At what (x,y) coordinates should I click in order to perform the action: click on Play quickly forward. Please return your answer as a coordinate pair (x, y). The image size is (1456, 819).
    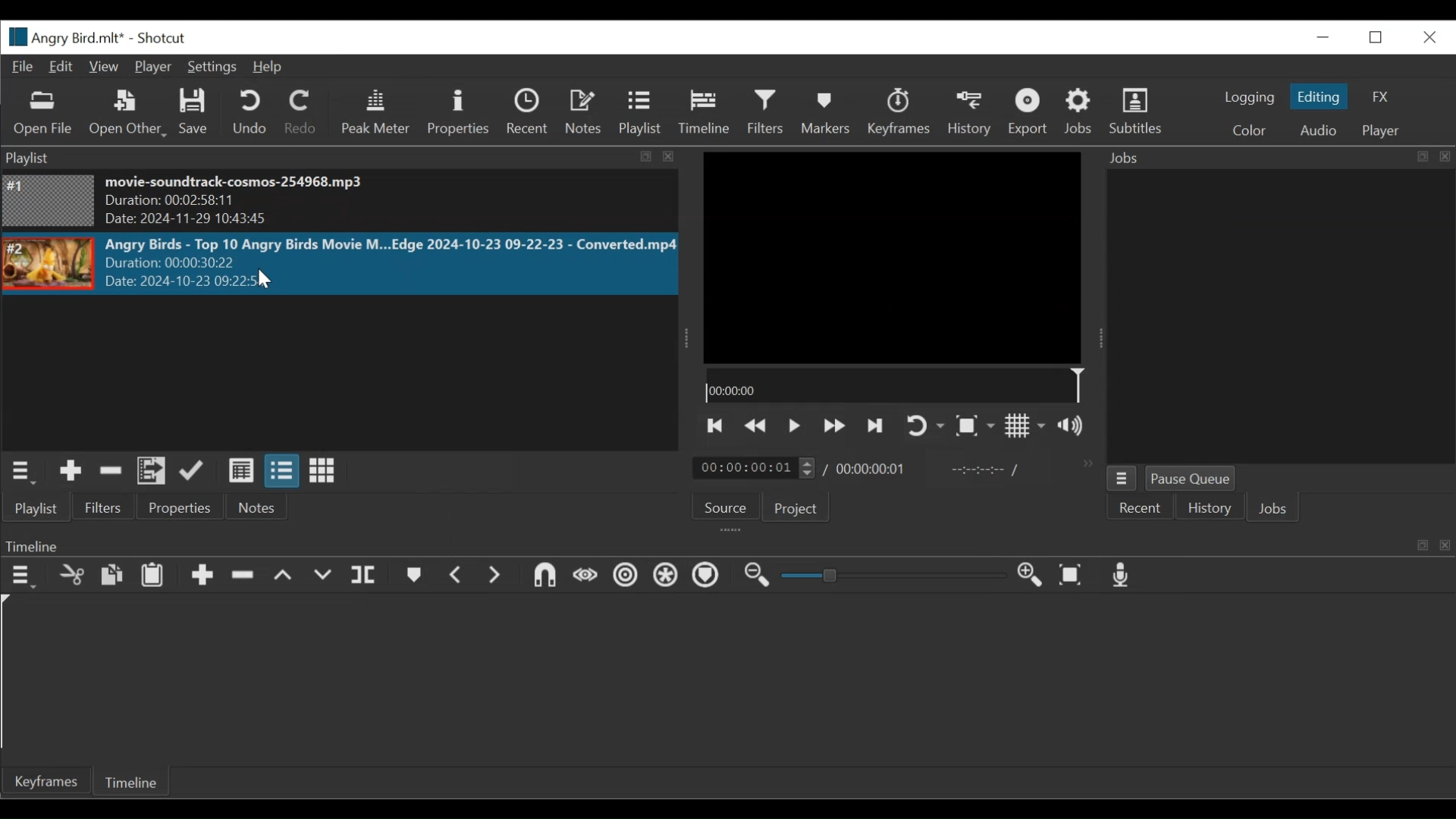
    Looking at the image, I should click on (832, 426).